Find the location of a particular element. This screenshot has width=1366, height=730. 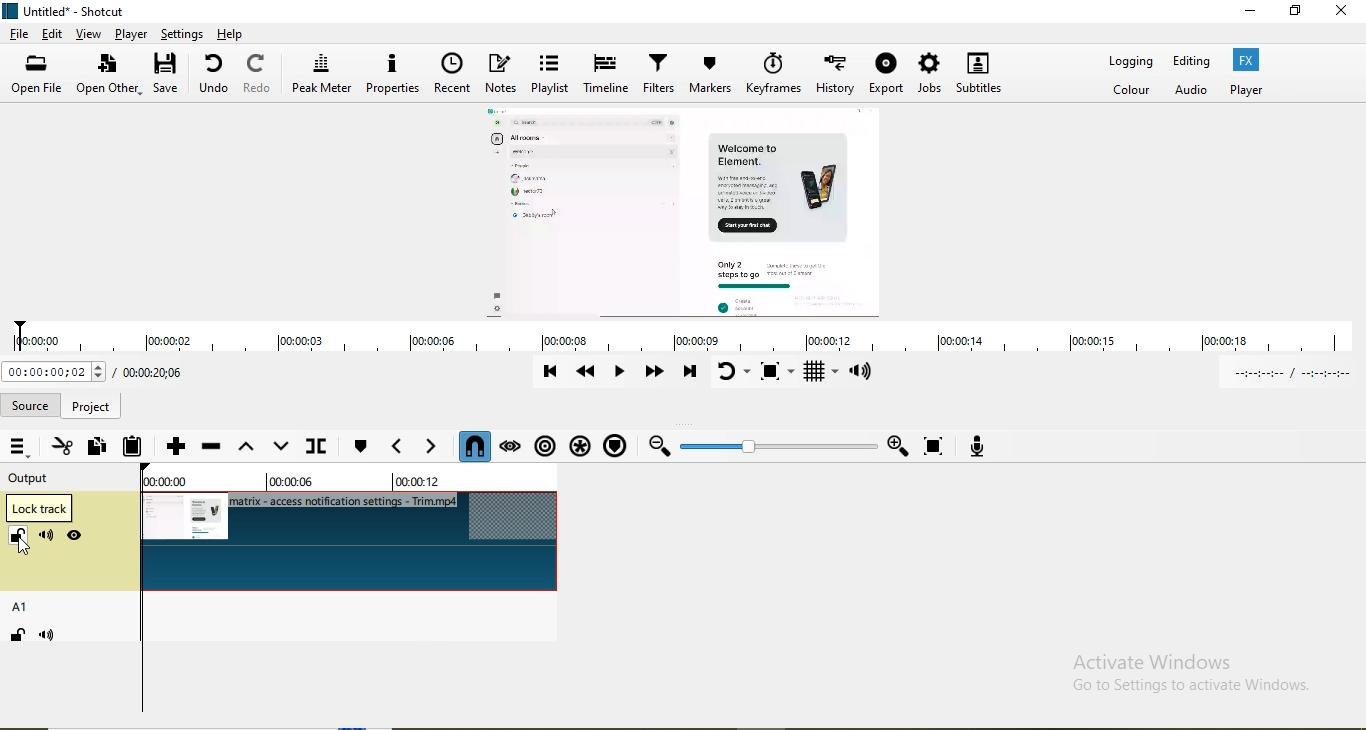

Media view  is located at coordinates (689, 212).